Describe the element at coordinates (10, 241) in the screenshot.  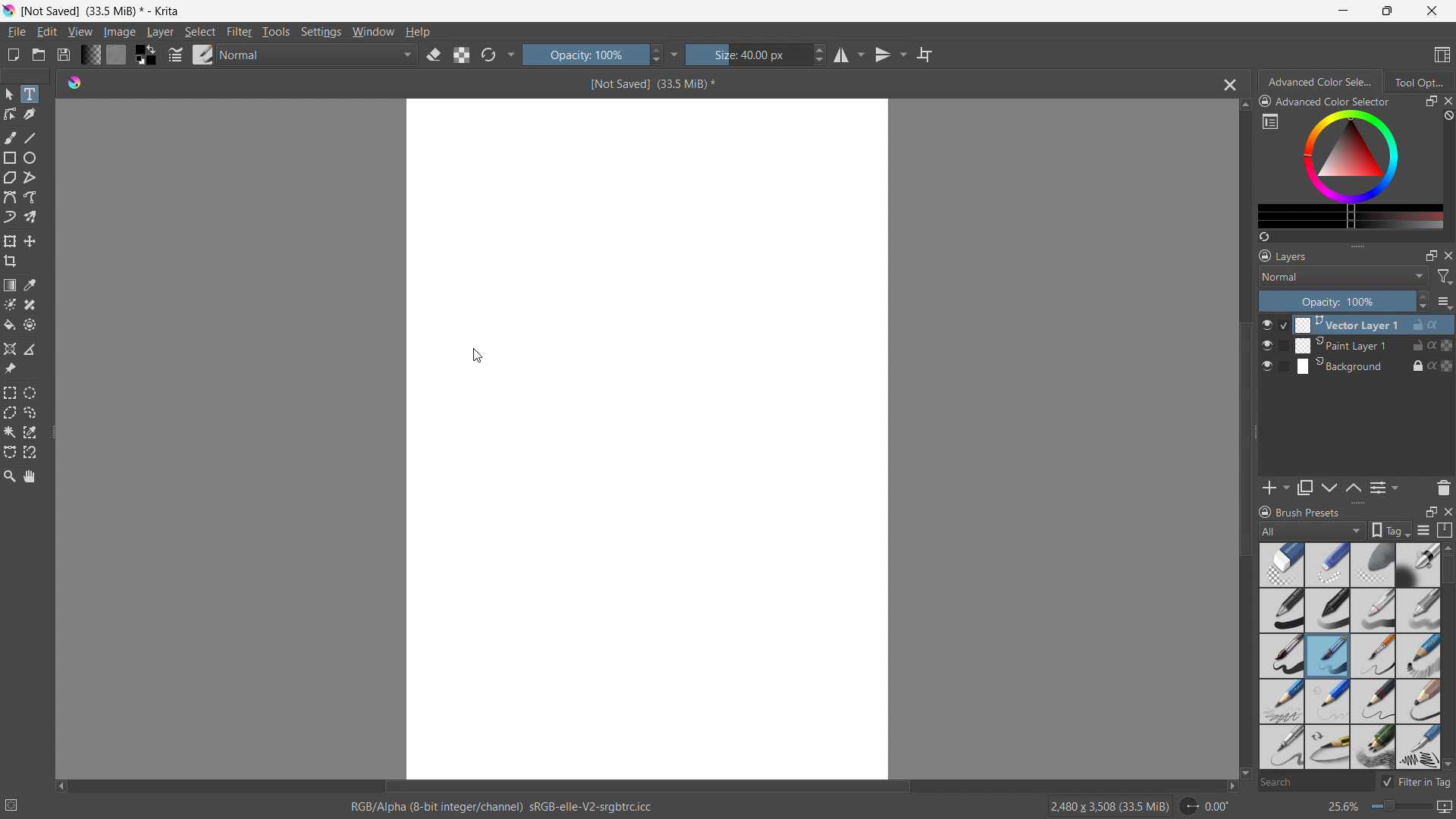
I see `transform a layer or selection` at that location.